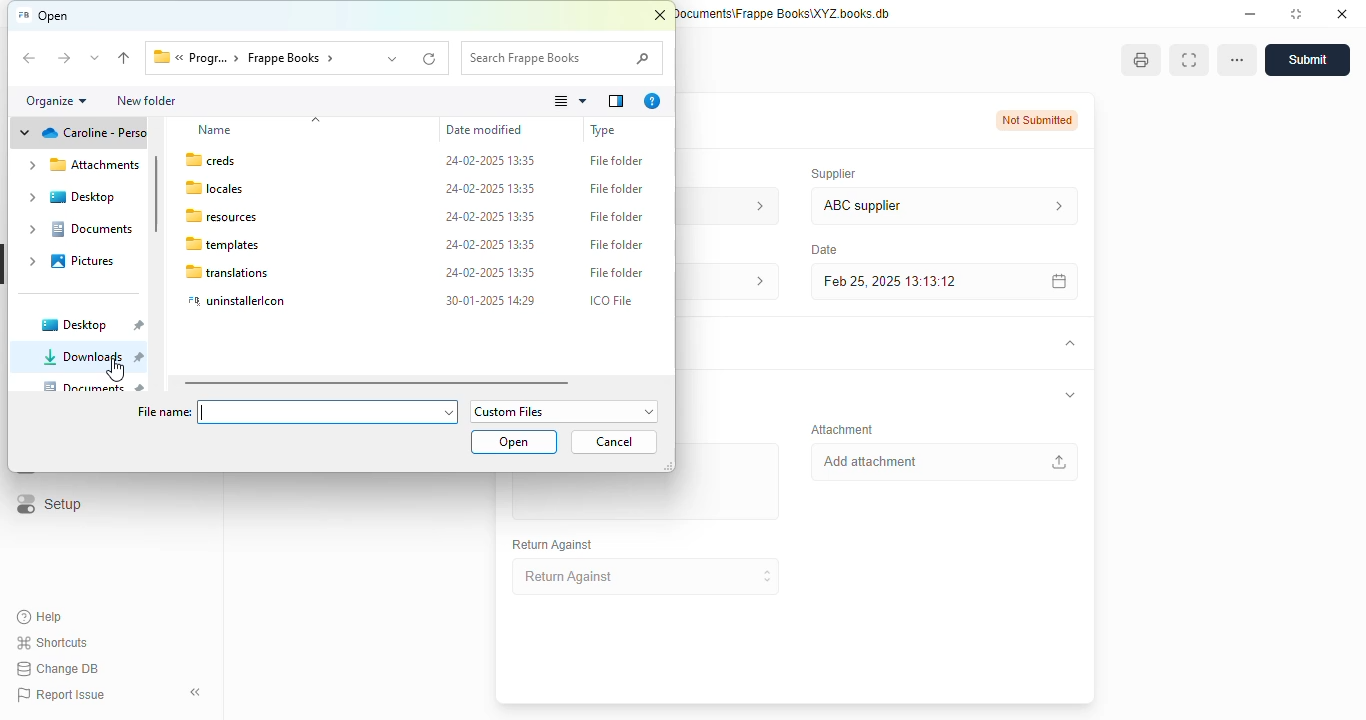 The width and height of the screenshot is (1366, 720). Describe the element at coordinates (221, 217) in the screenshot. I see `resources` at that location.